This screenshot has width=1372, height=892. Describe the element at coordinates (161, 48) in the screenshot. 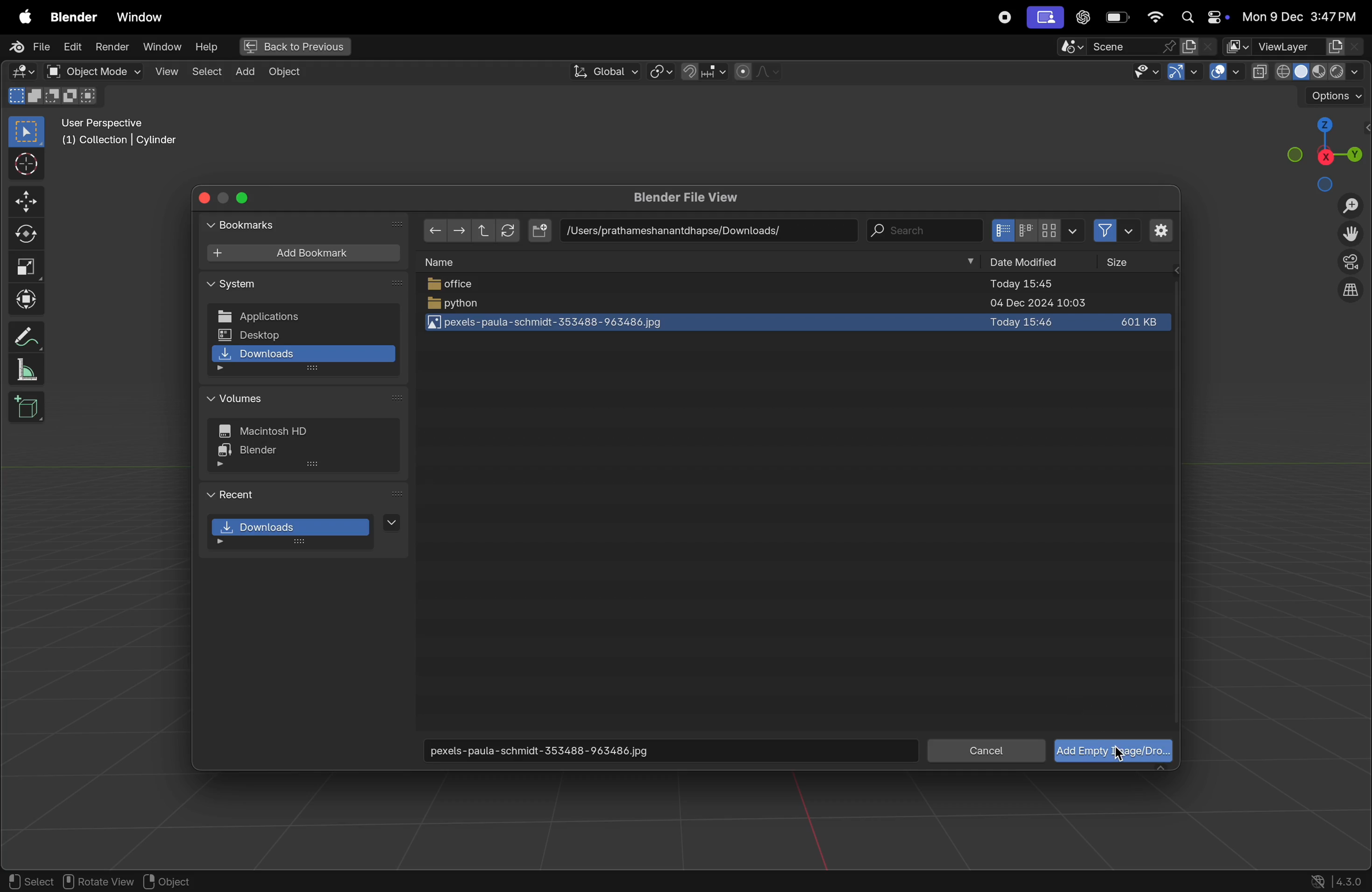

I see `window` at that location.